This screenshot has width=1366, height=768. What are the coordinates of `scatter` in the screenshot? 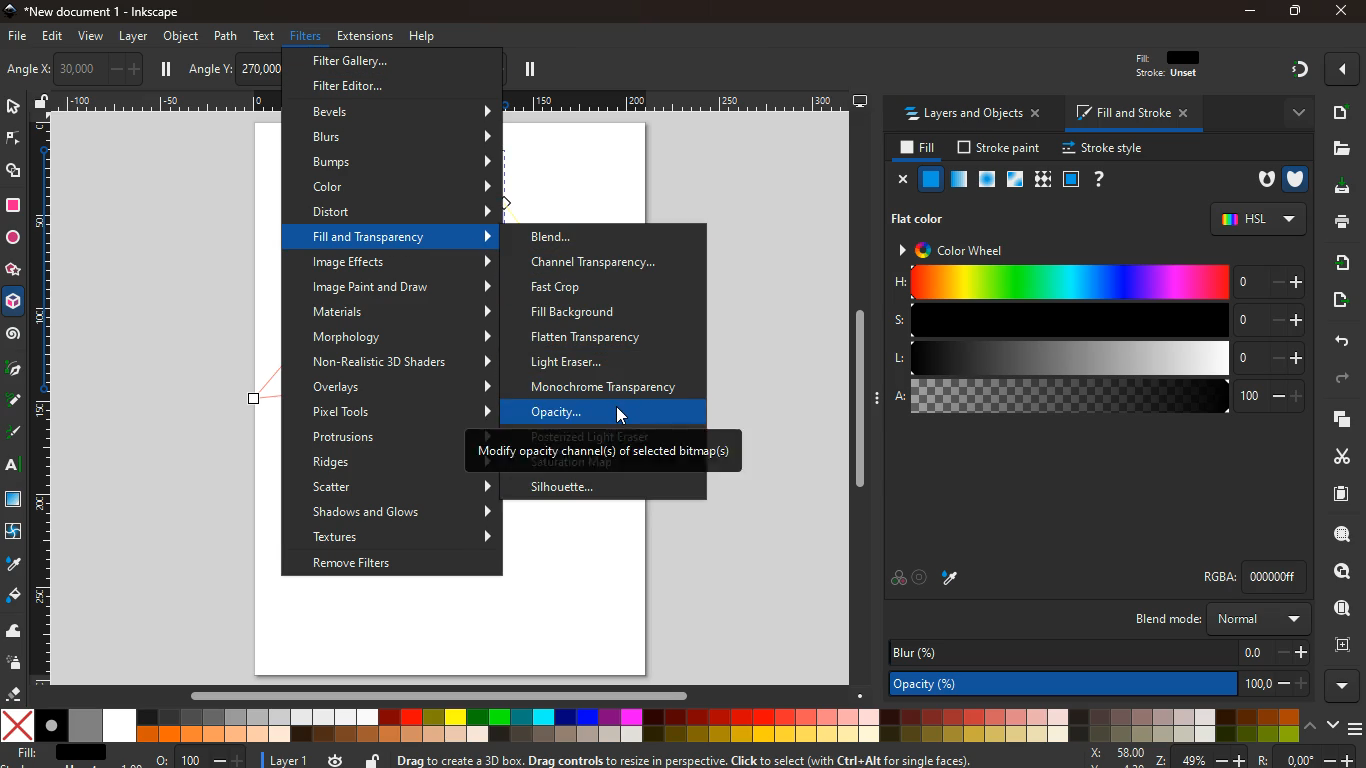 It's located at (400, 487).